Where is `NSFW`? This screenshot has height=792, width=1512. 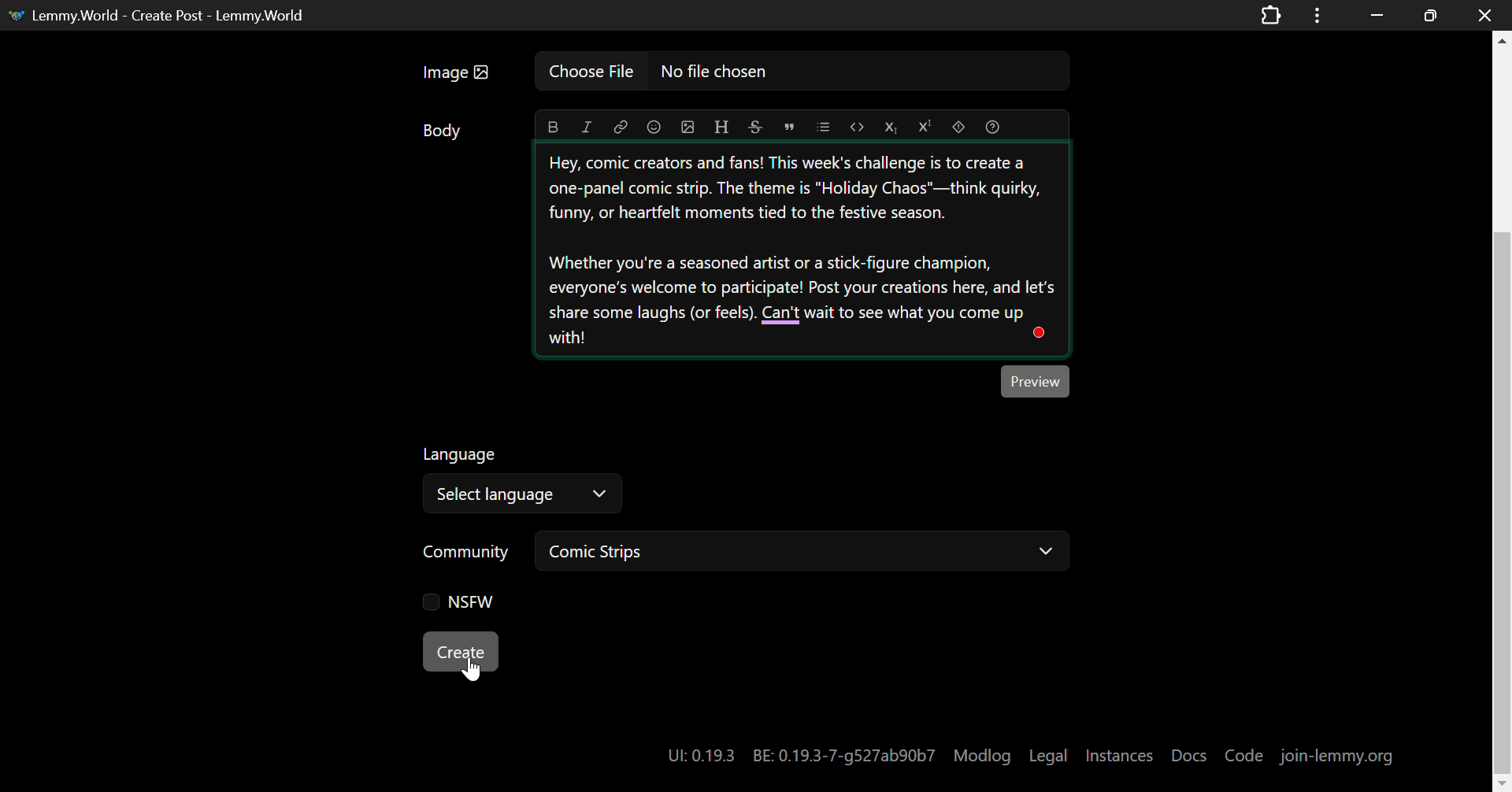
NSFW is located at coordinates (461, 605).